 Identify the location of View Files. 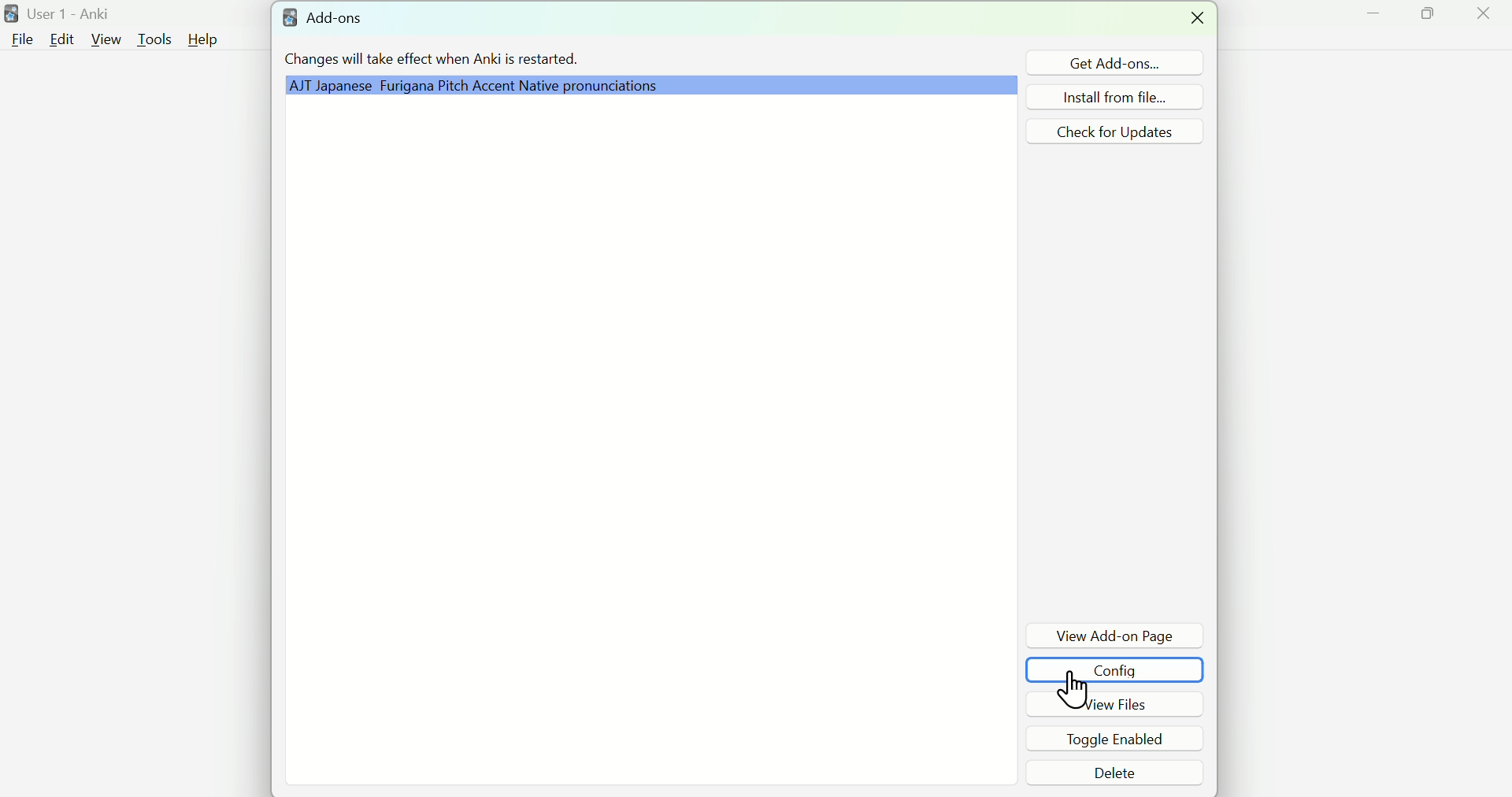
(1114, 706).